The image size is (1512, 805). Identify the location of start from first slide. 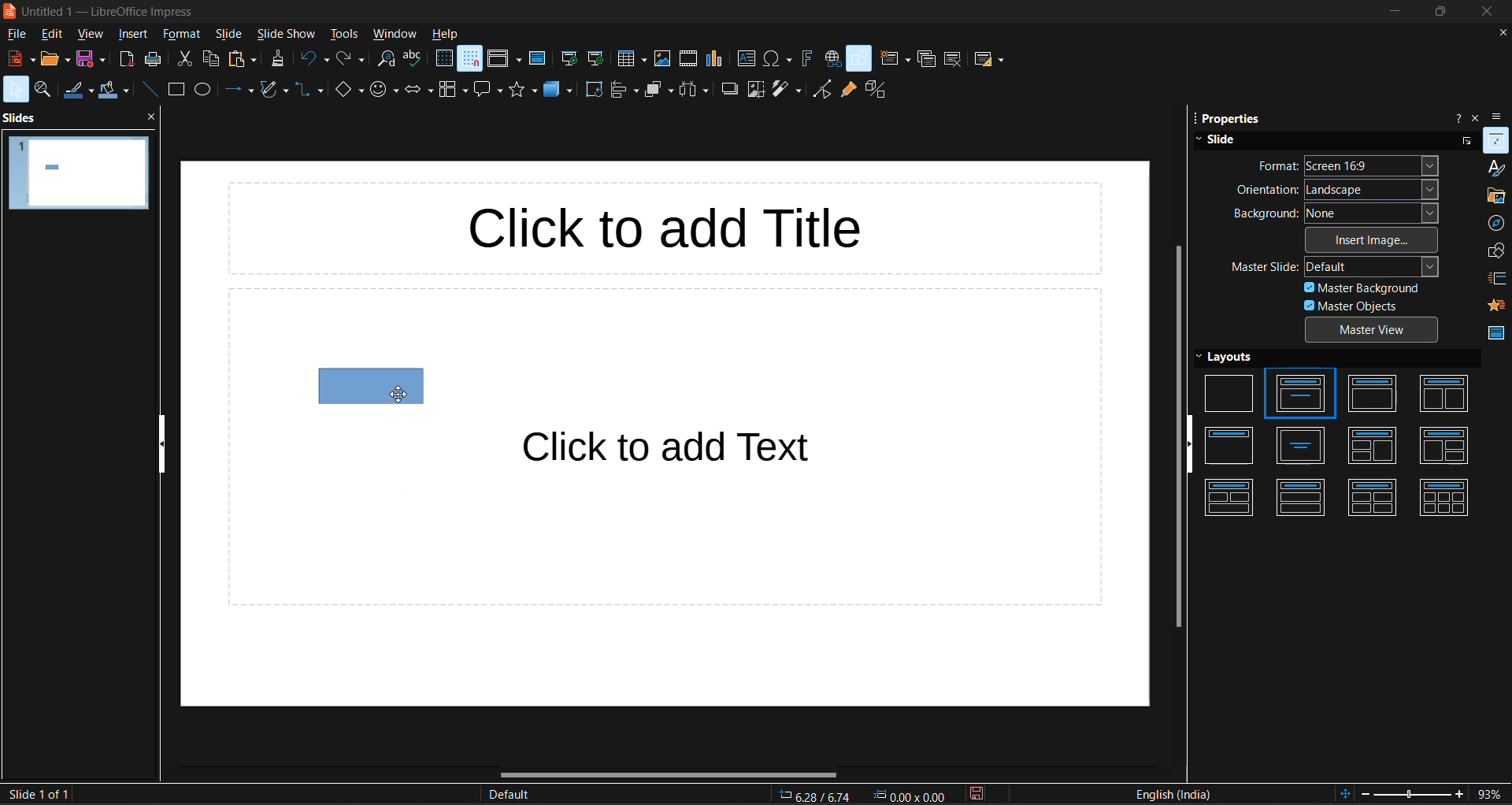
(570, 60).